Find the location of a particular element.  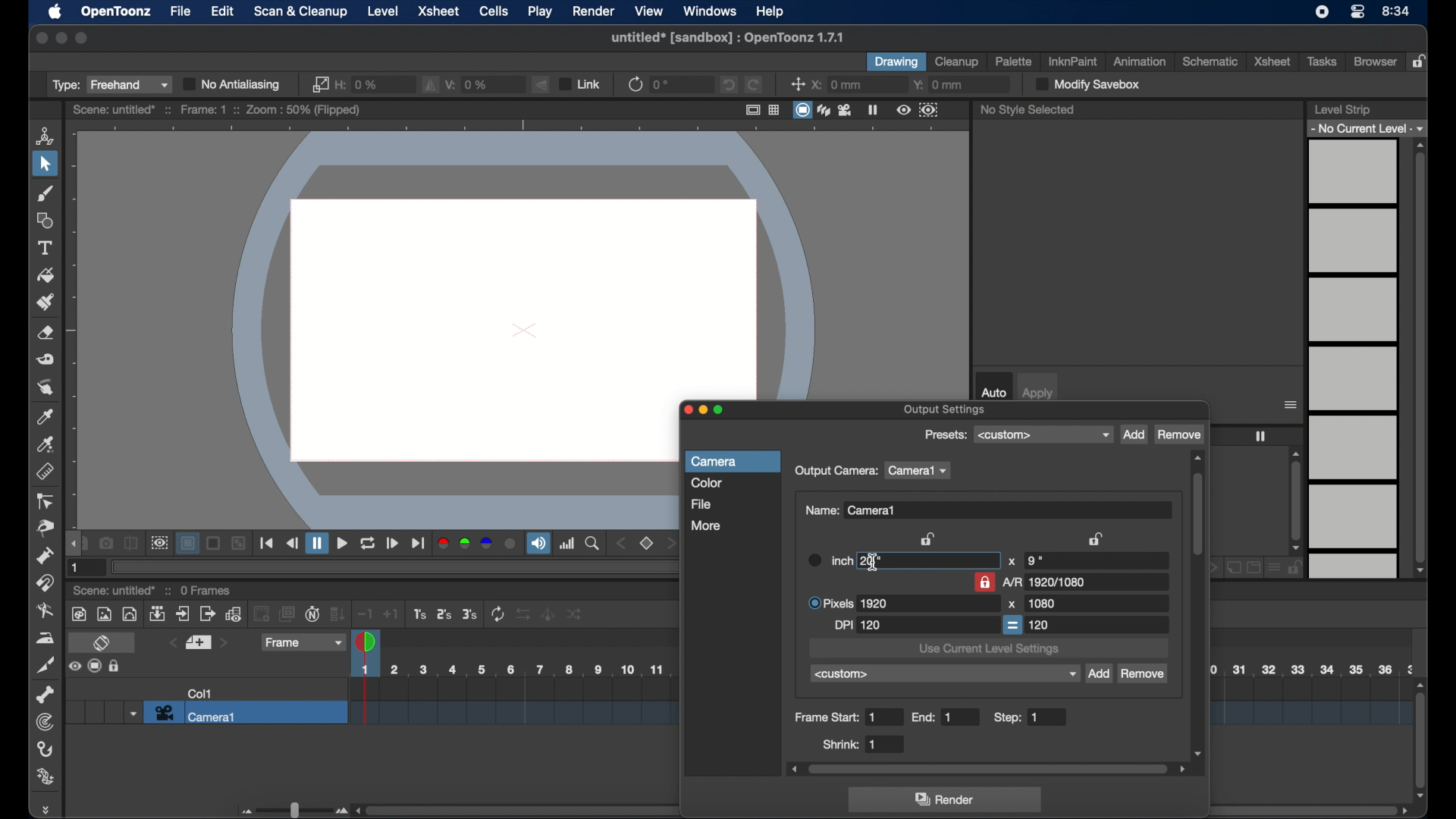

scroll bar is located at coordinates (1313, 810).